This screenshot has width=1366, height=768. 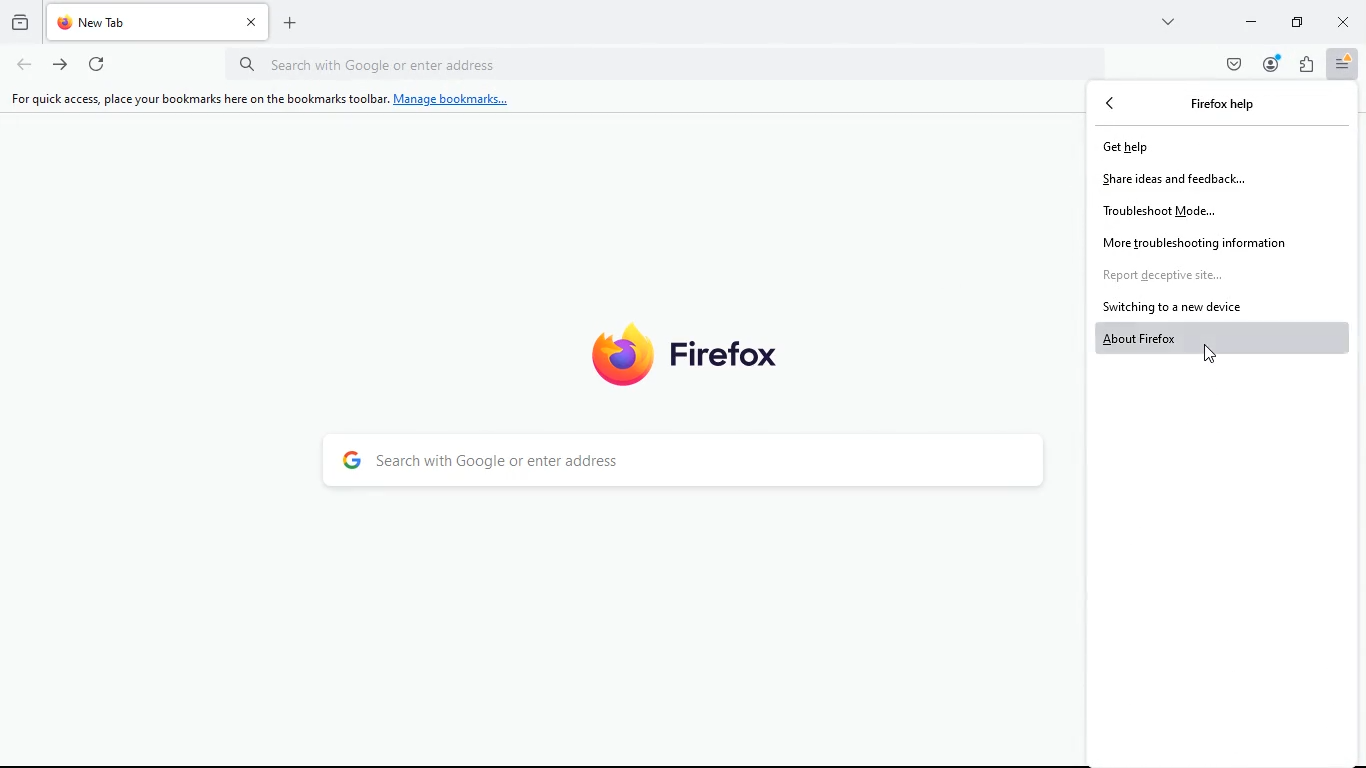 What do you see at coordinates (1175, 179) in the screenshot?
I see `share ideas and feedback` at bounding box center [1175, 179].